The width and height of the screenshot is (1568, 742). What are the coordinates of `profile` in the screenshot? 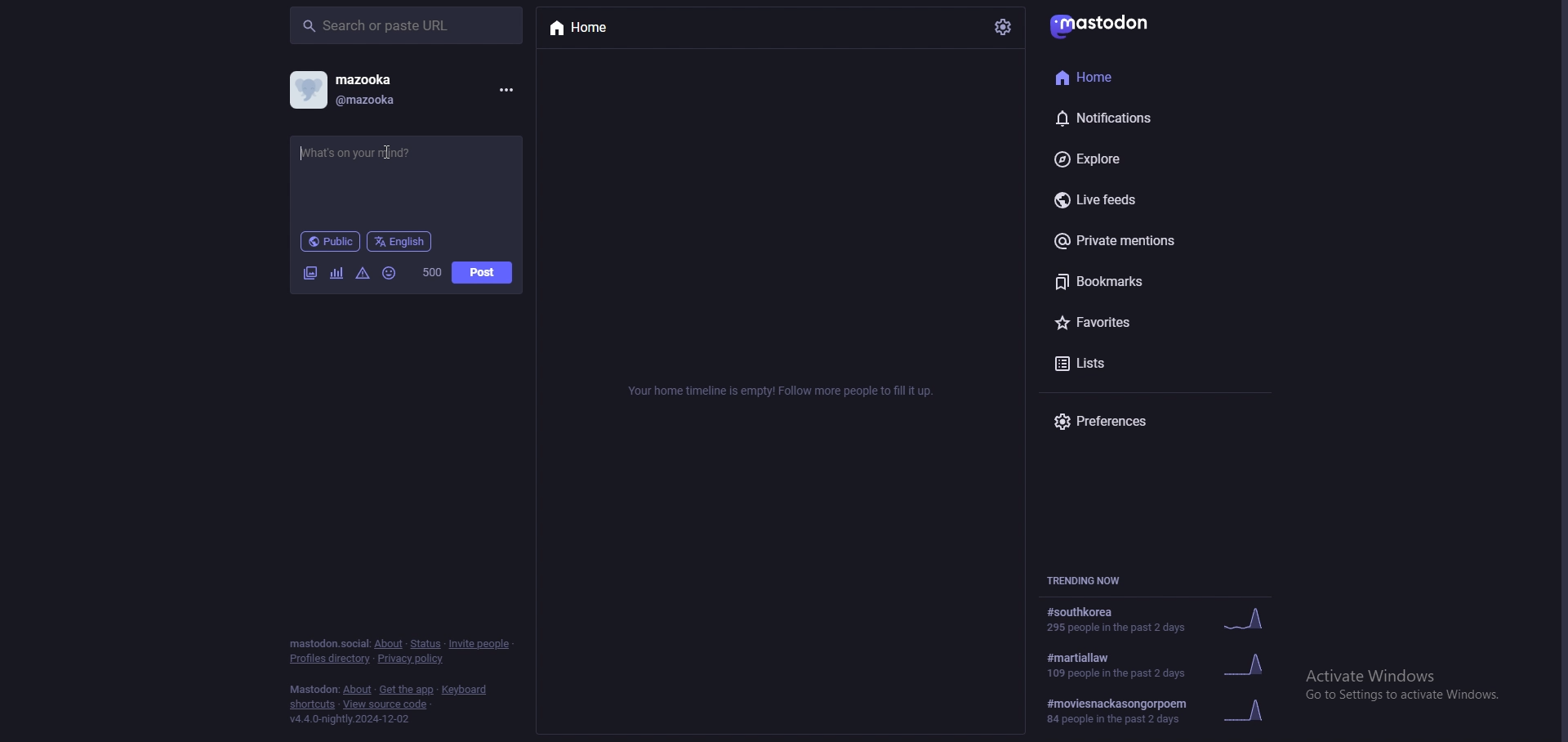 It's located at (351, 88).